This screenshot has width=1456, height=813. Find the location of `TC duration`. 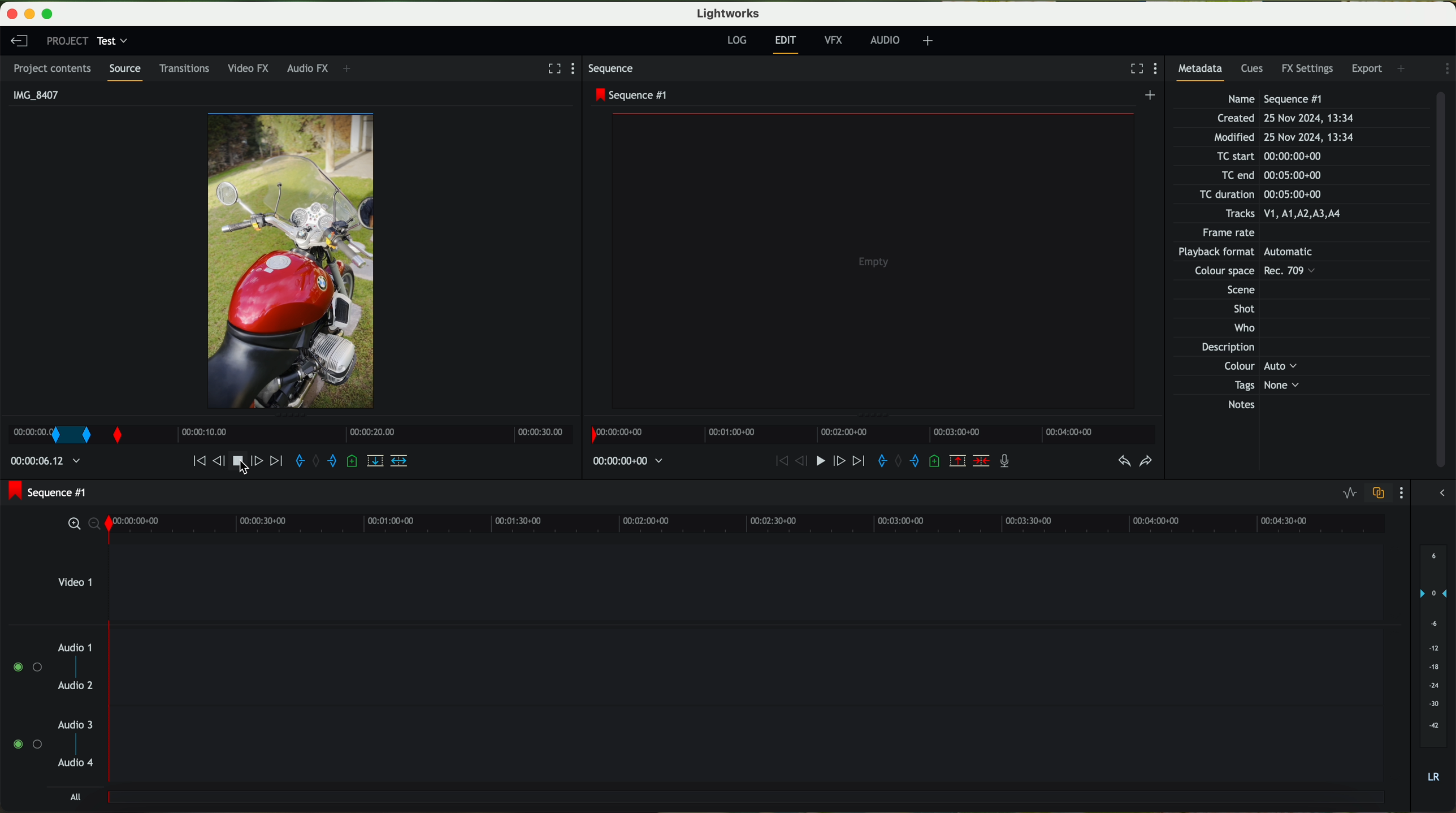

TC duration is located at coordinates (1254, 196).